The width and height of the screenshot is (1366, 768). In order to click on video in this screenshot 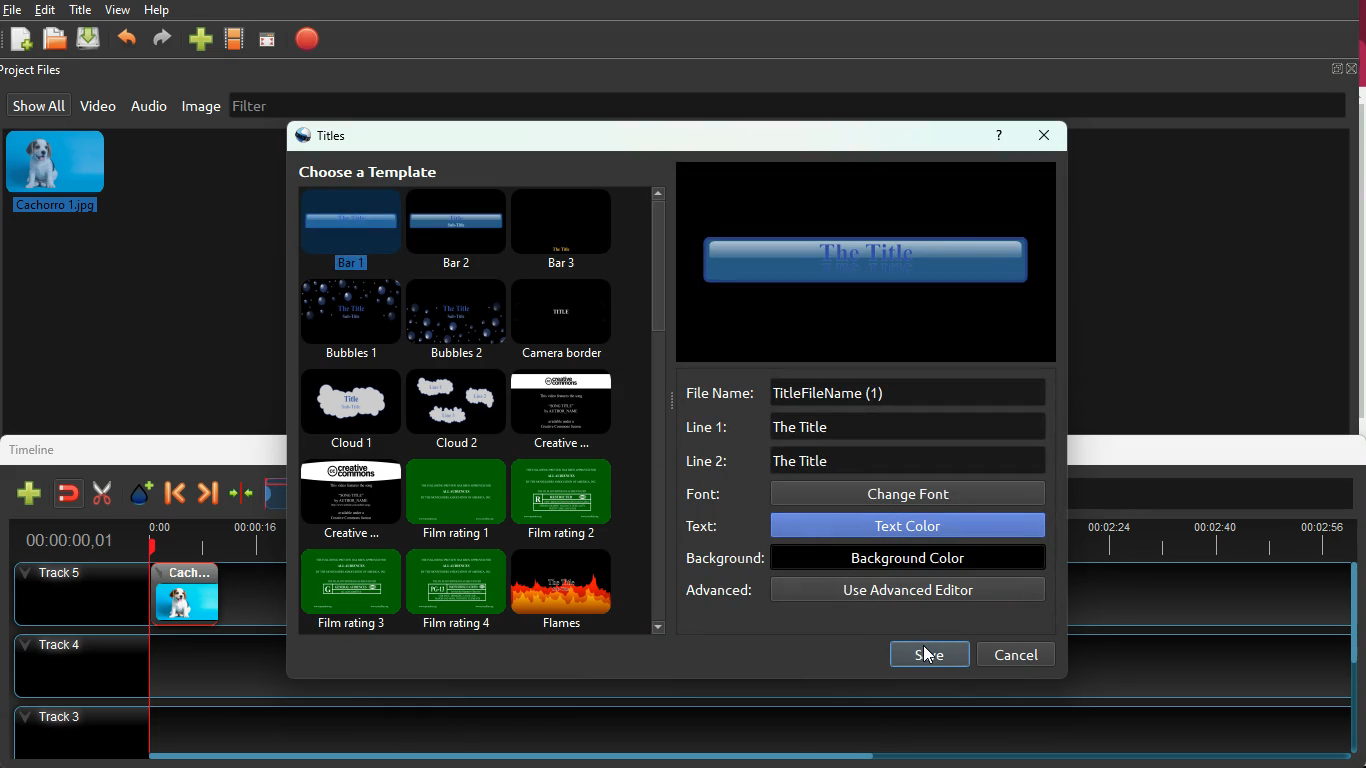, I will do `click(98, 105)`.